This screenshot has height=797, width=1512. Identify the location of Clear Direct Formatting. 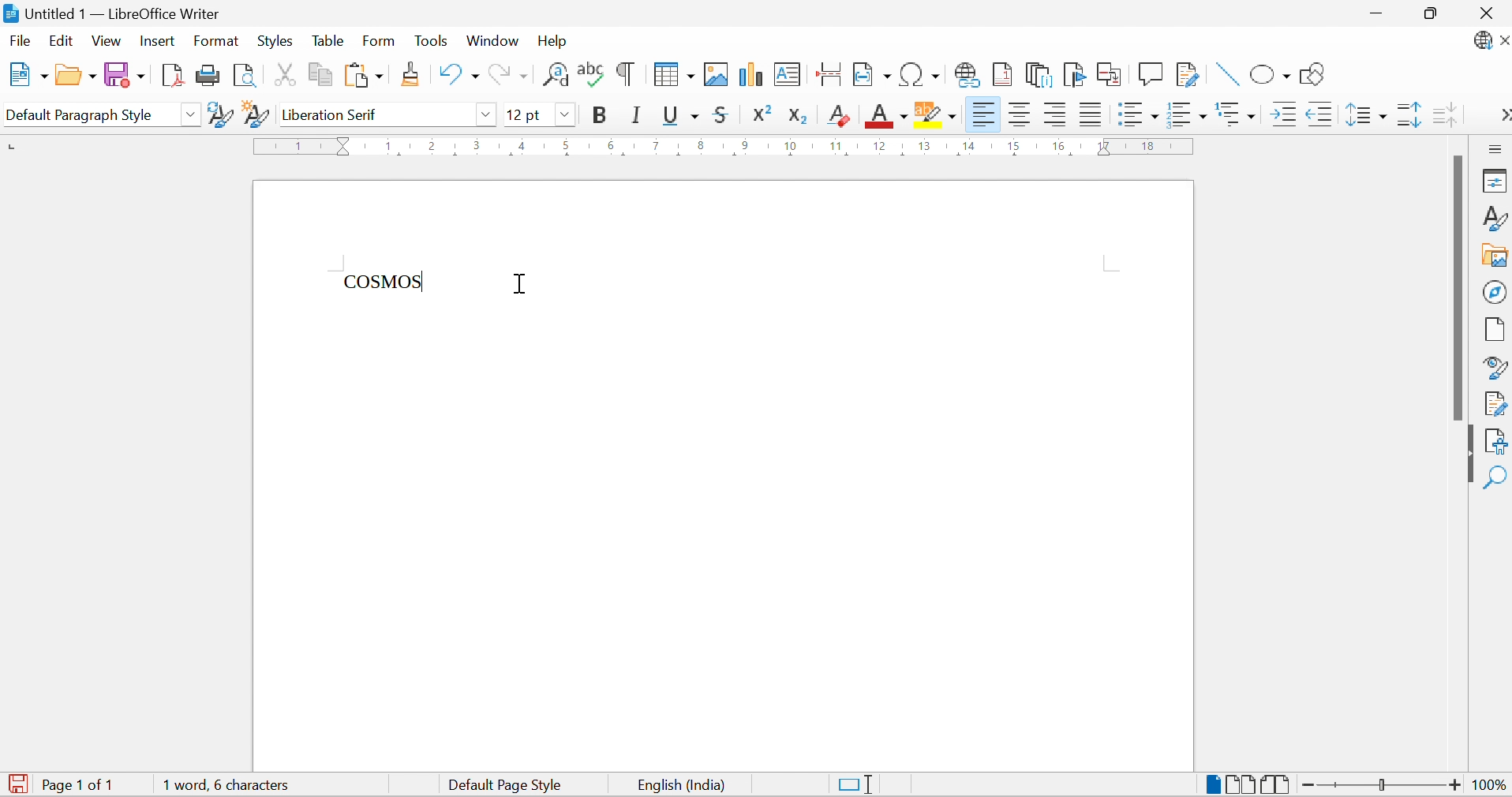
(839, 115).